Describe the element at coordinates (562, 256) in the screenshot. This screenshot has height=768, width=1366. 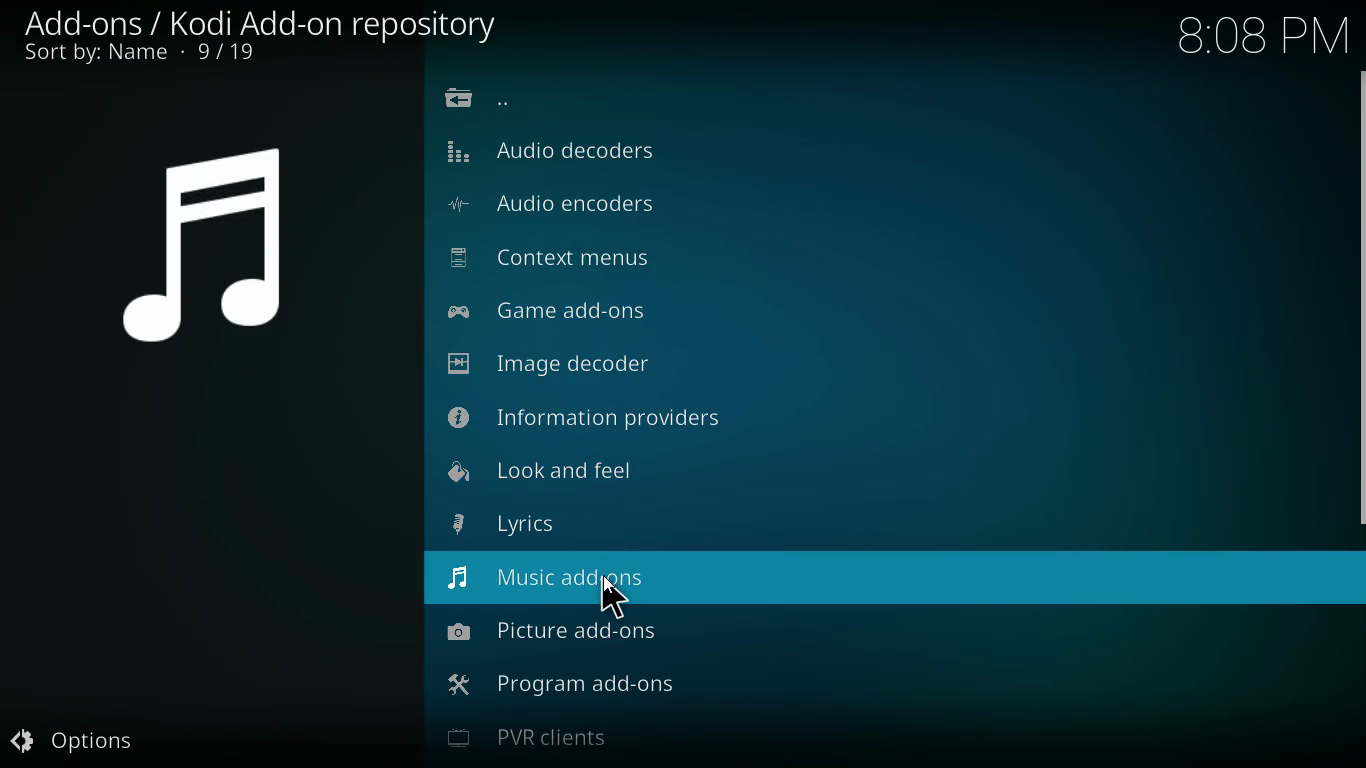
I see `Context menus` at that location.